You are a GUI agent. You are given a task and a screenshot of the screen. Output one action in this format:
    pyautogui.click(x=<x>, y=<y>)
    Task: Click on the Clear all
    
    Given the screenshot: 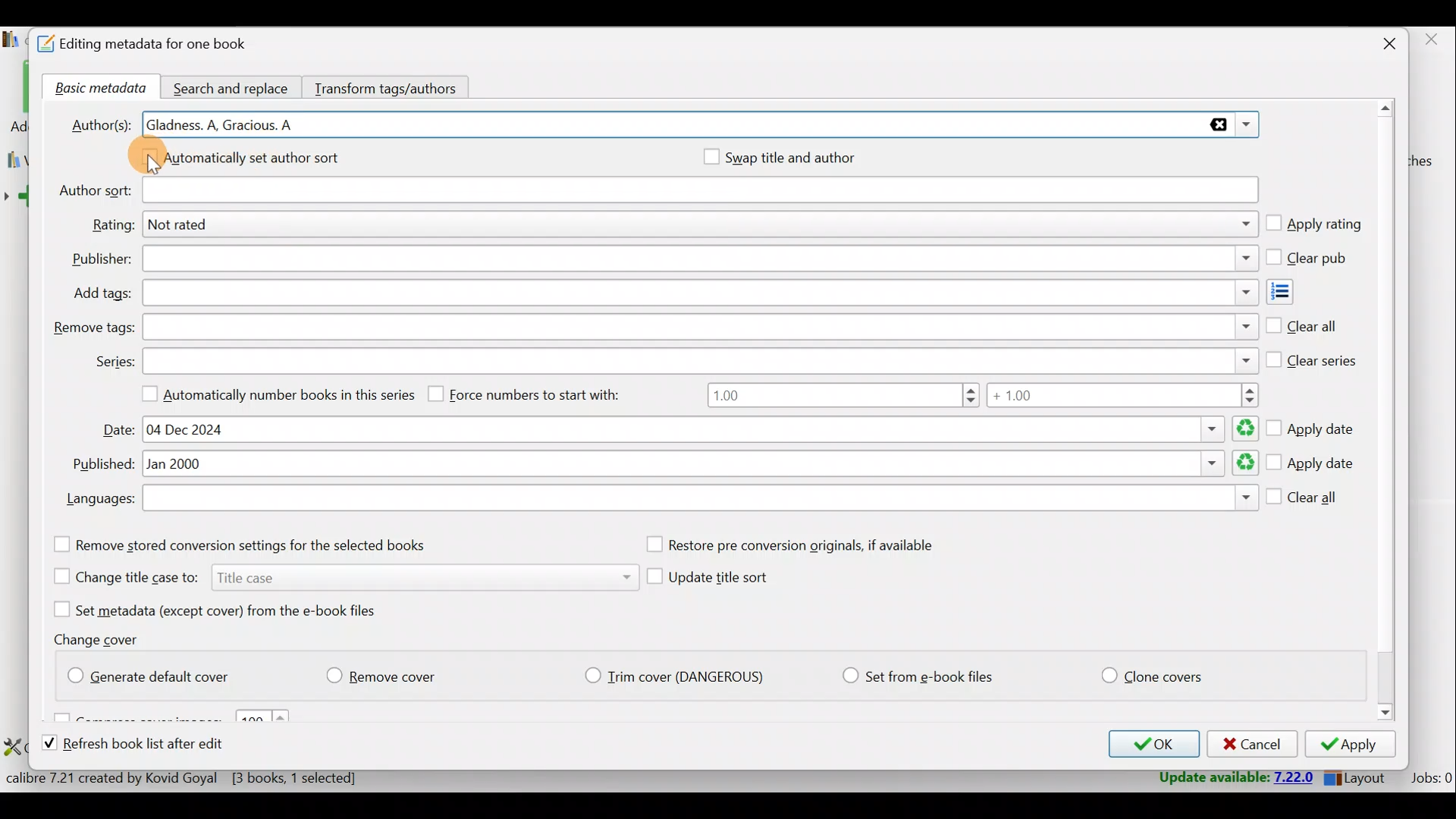 What is the action you would take?
    pyautogui.click(x=1304, y=500)
    